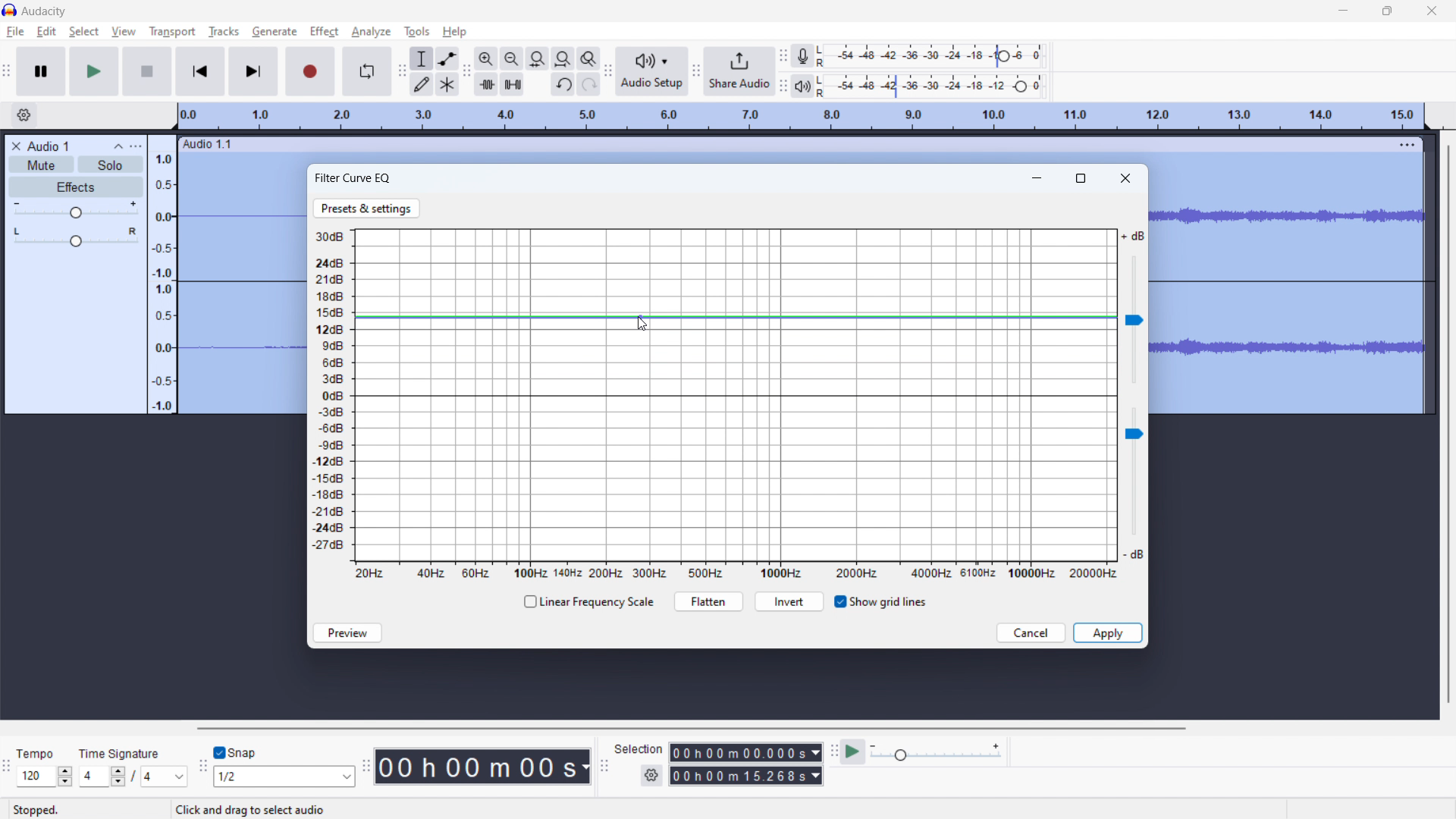 This screenshot has width=1456, height=819. What do you see at coordinates (783, 85) in the screenshot?
I see `playback meter toolbar` at bounding box center [783, 85].